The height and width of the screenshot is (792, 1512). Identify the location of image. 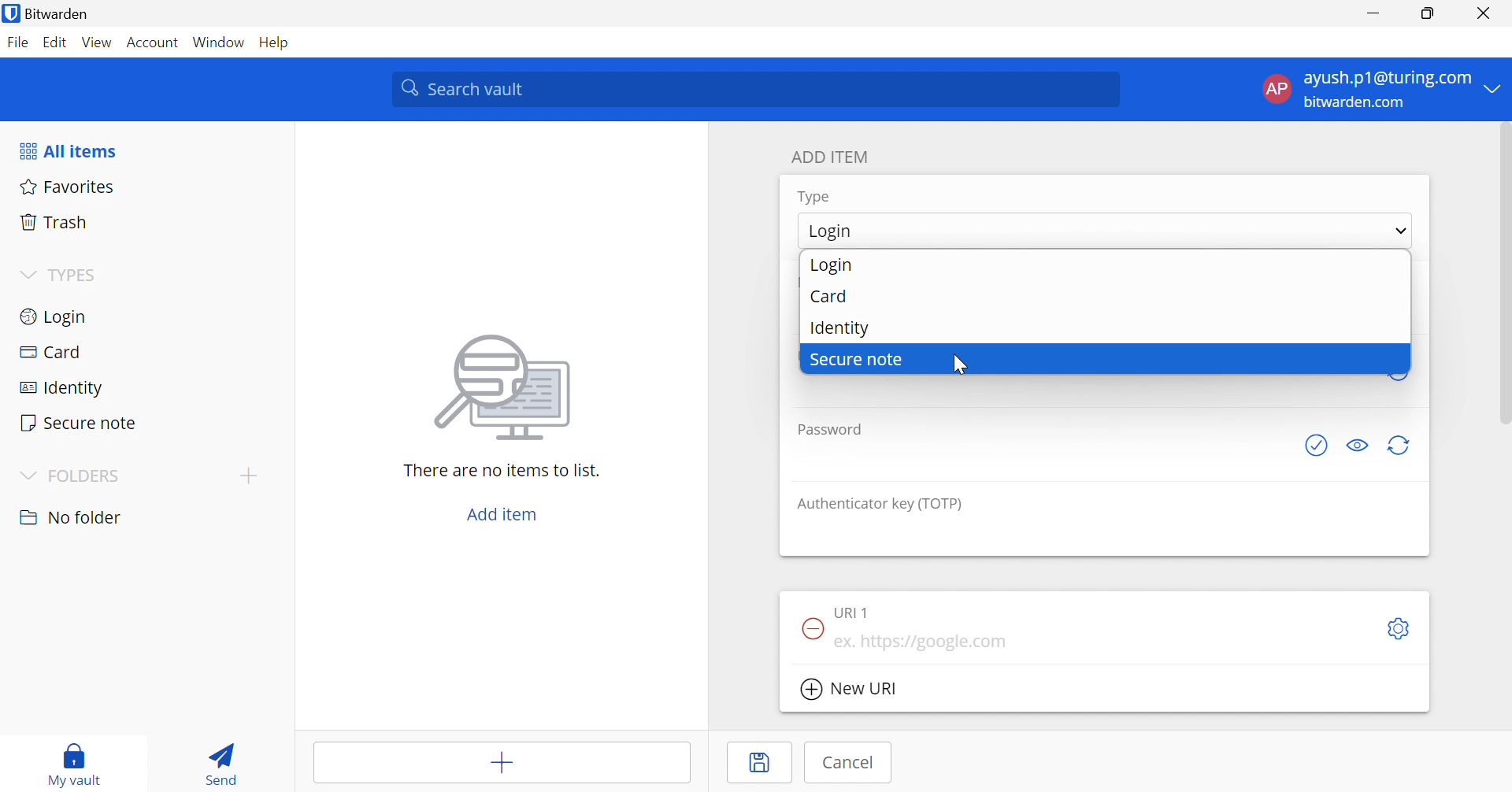
(502, 387).